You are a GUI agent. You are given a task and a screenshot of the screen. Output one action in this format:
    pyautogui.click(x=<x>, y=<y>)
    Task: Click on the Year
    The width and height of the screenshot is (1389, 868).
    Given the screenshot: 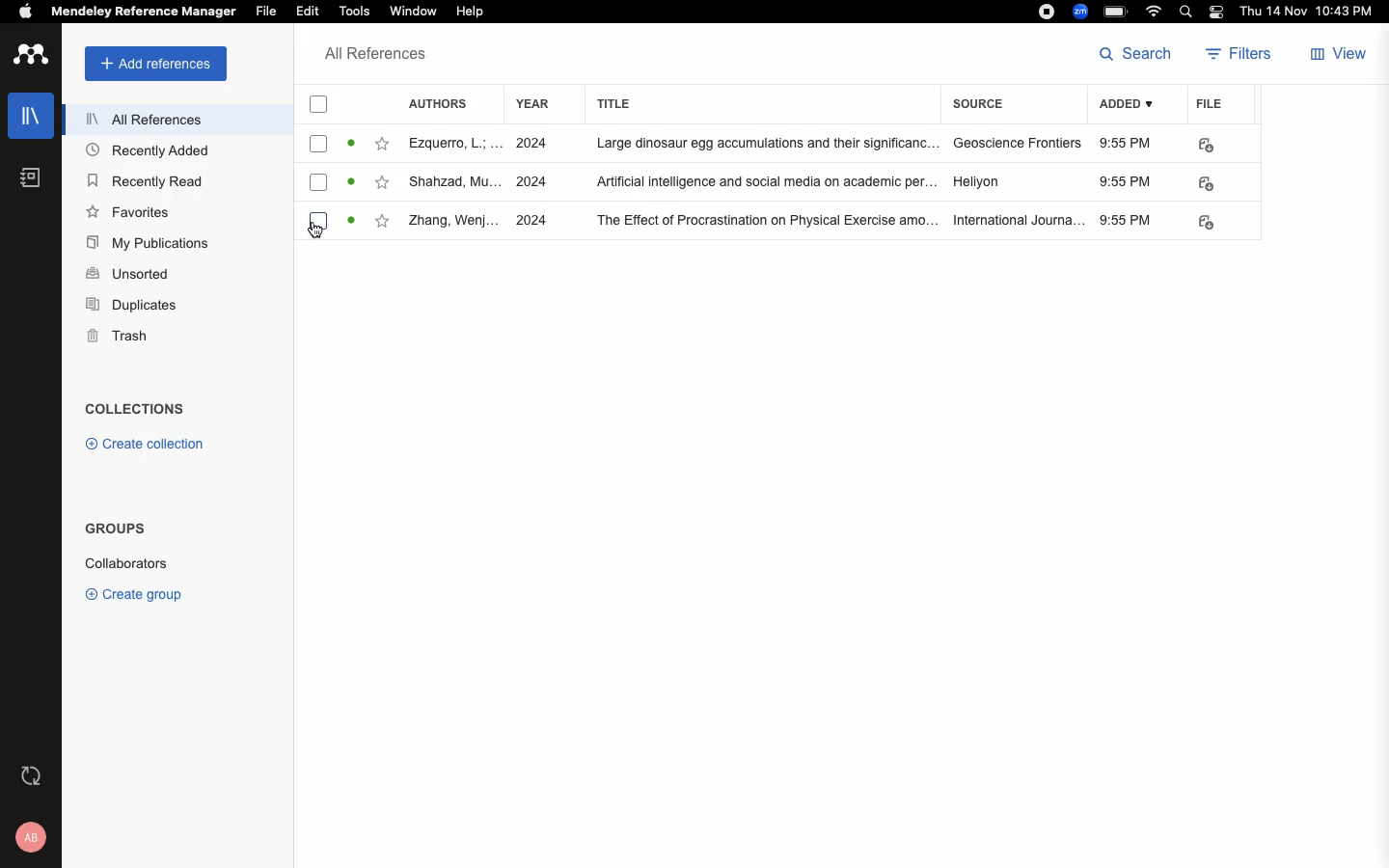 What is the action you would take?
    pyautogui.click(x=532, y=104)
    